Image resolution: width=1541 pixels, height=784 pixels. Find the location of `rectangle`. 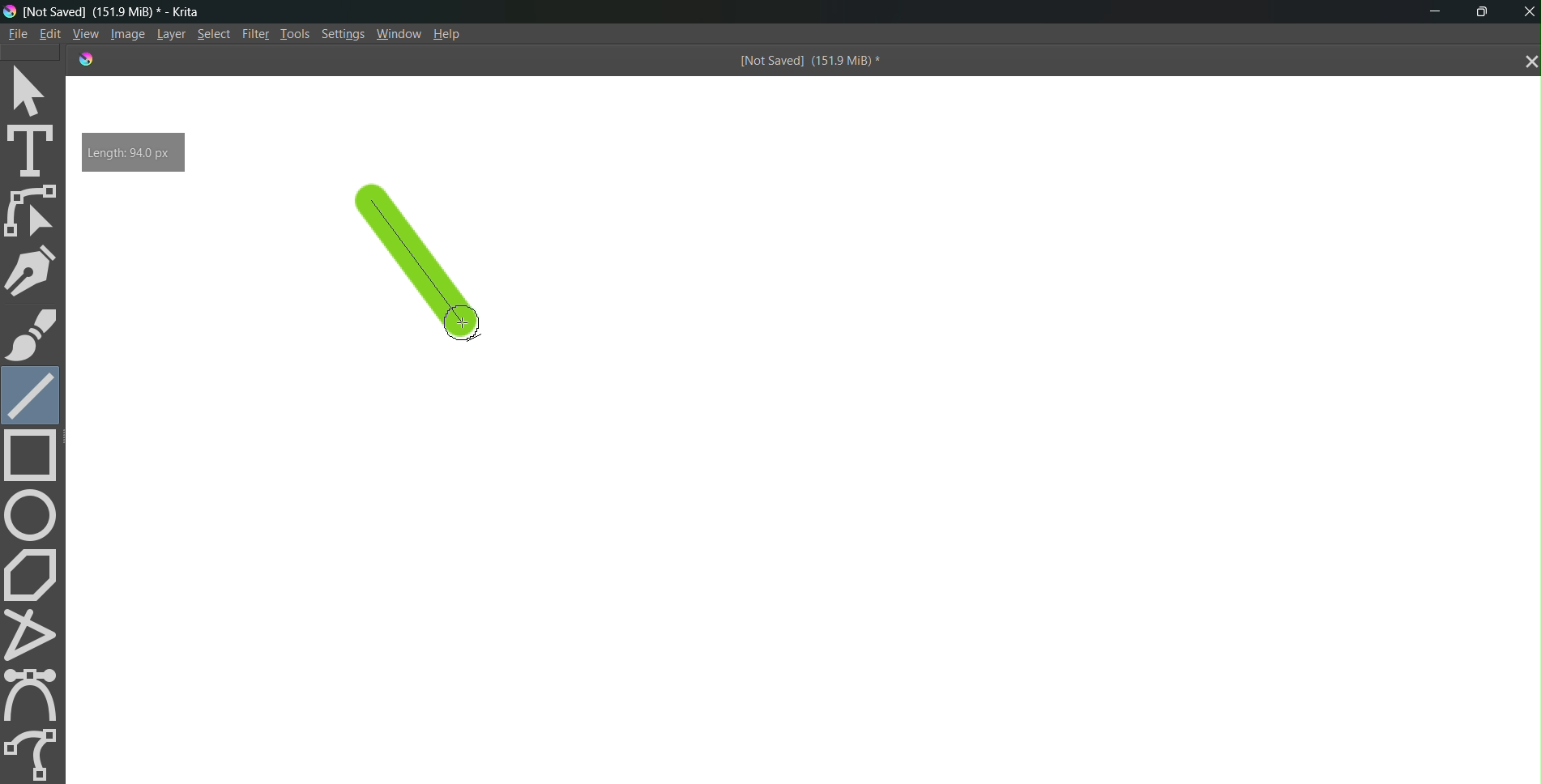

rectangle is located at coordinates (36, 457).